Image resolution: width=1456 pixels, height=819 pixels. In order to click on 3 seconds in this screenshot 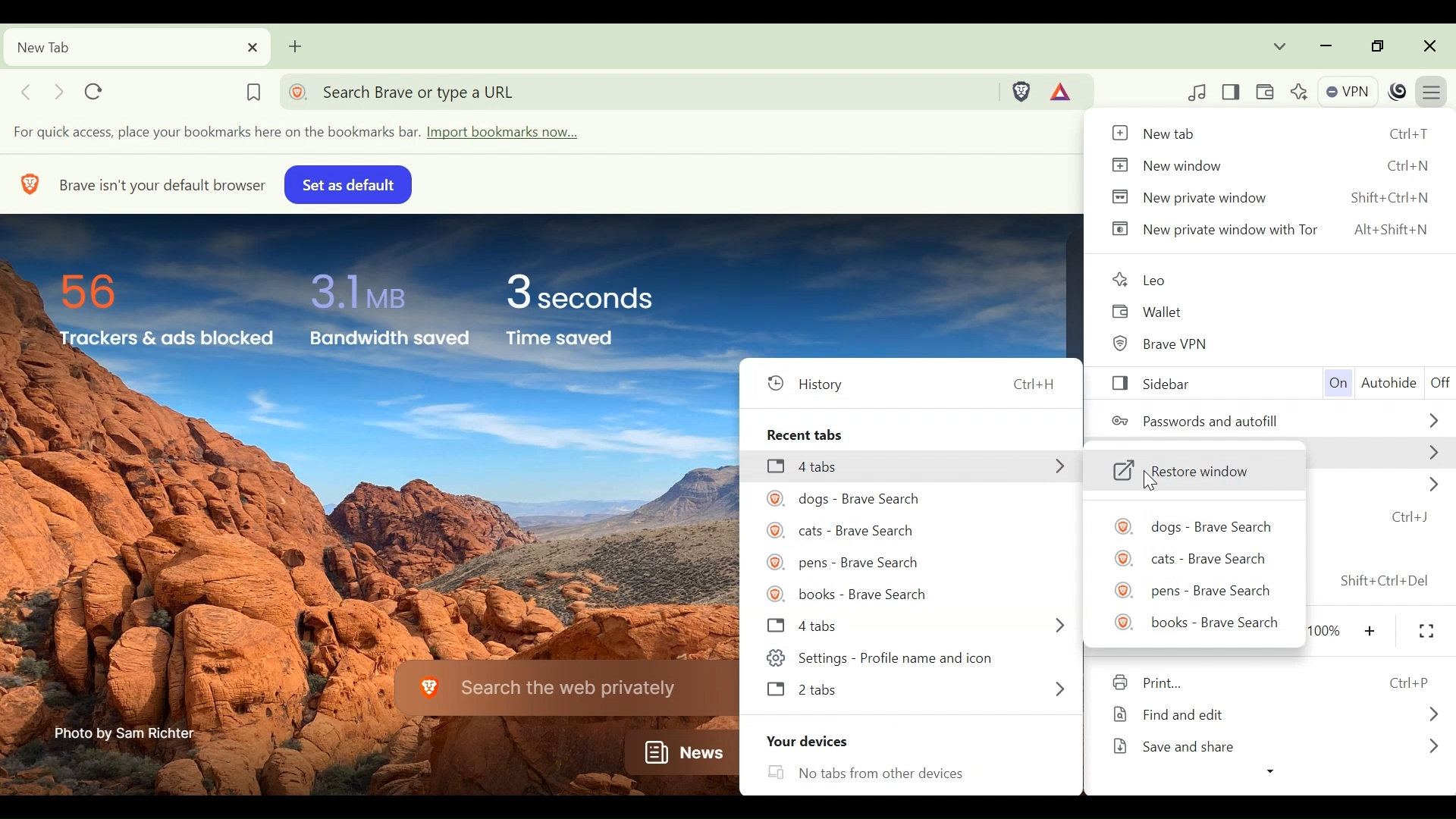, I will do `click(591, 292)`.